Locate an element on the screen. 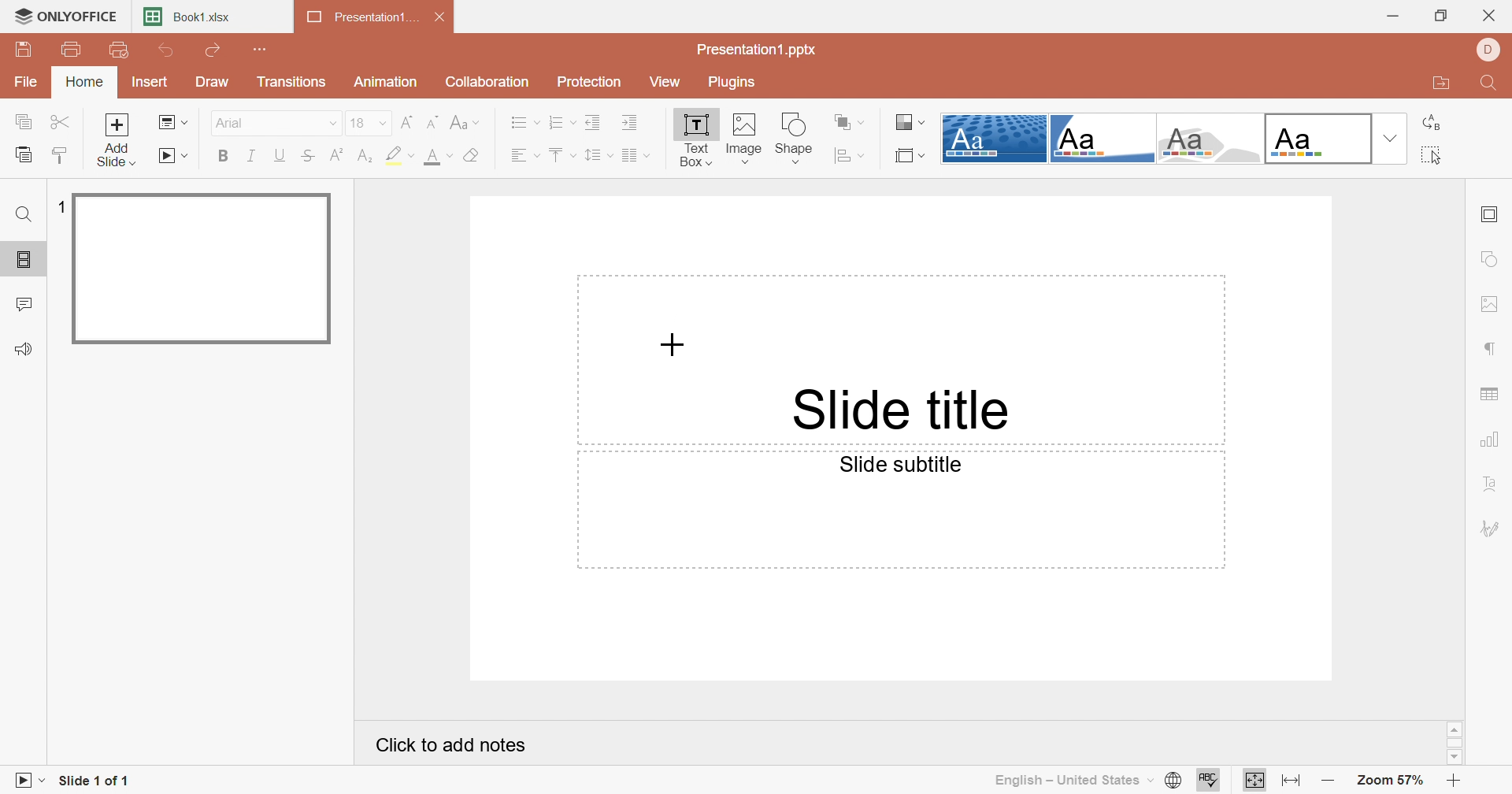 This screenshot has width=1512, height=794. Set document language is located at coordinates (1177, 780).